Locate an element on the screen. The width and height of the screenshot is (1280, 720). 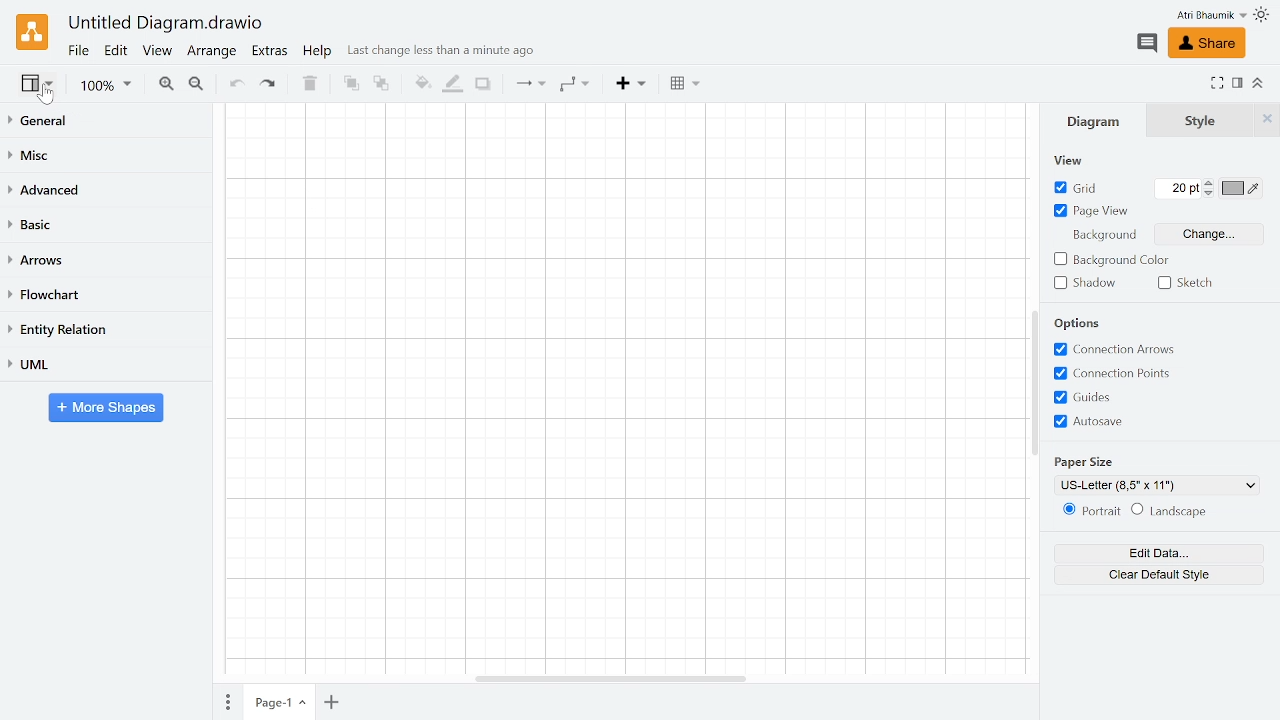
Diagram is located at coordinates (1101, 121).